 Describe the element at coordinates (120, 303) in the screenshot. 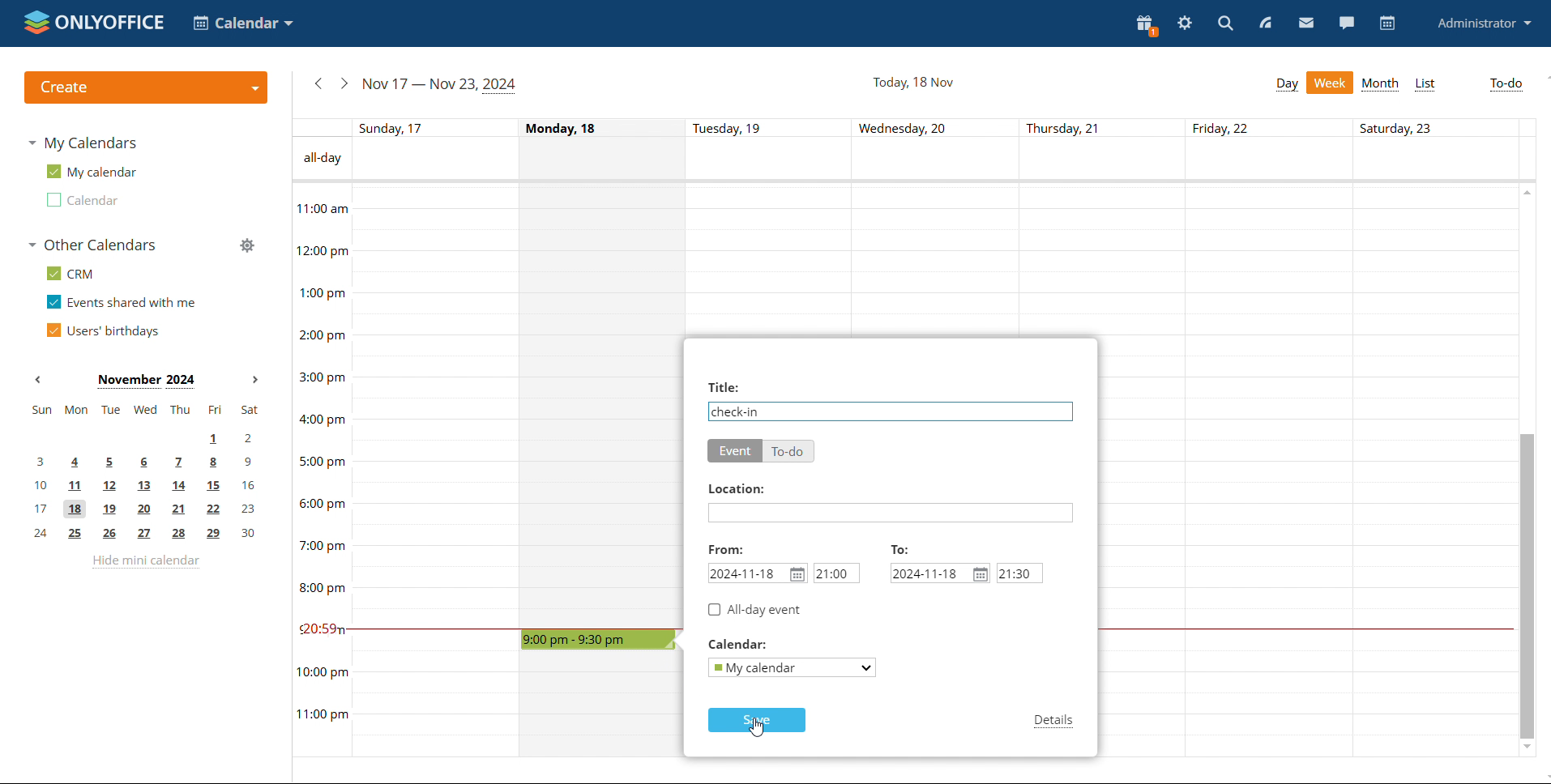

I see `events shared with me` at that location.